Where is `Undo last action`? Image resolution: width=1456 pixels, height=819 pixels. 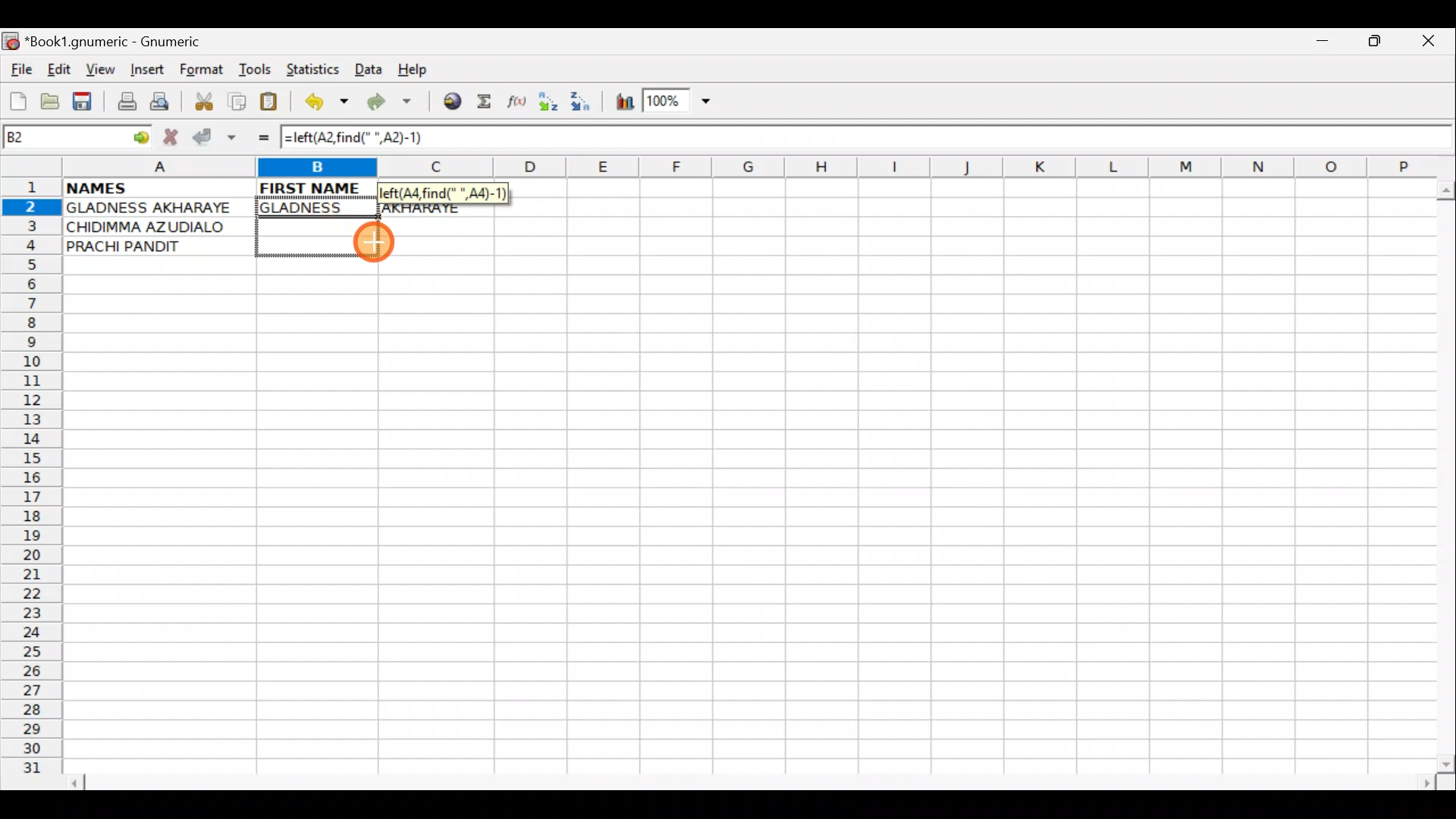
Undo last action is located at coordinates (328, 104).